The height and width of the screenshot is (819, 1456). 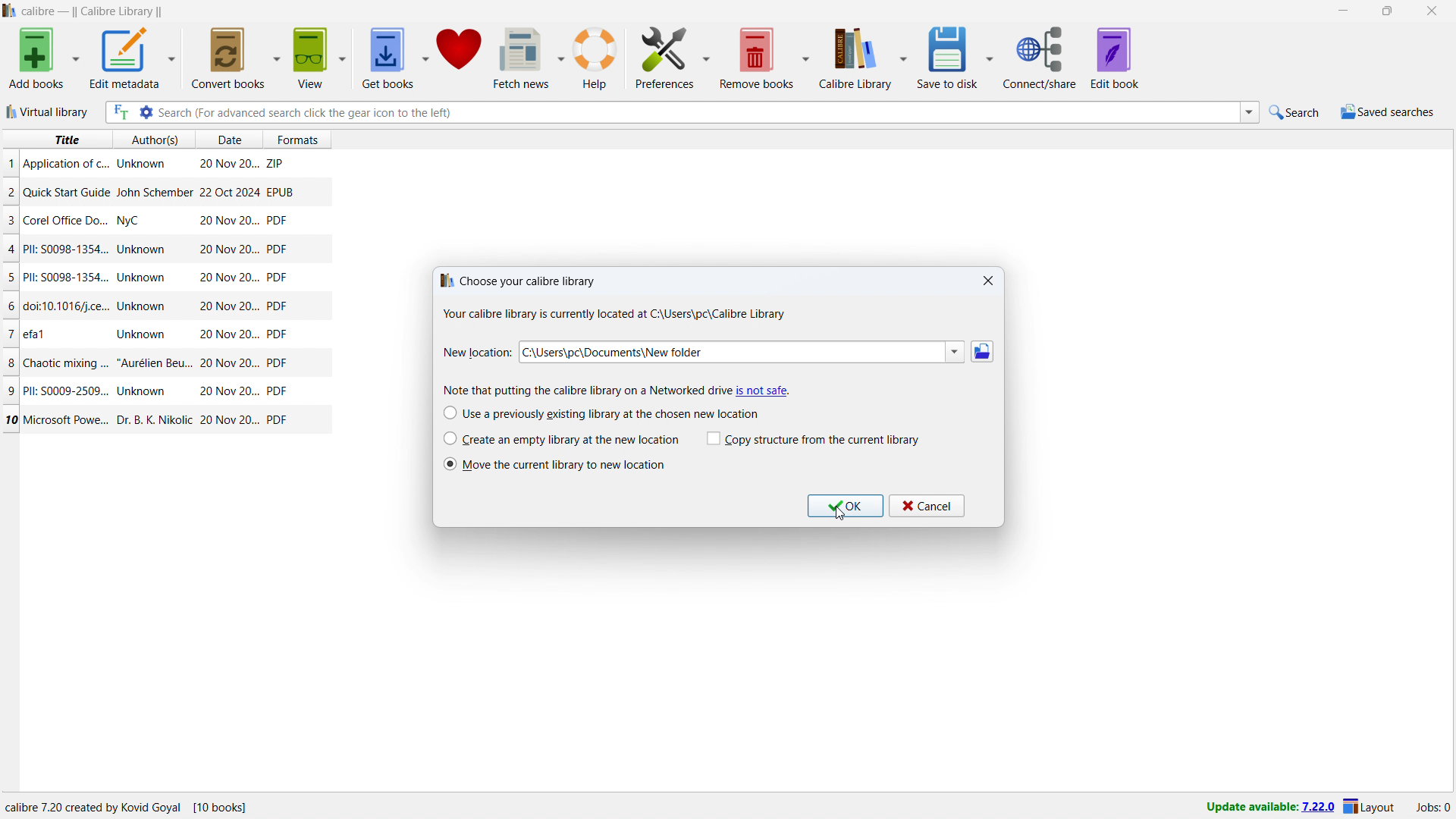 I want to click on Date, so click(x=227, y=307).